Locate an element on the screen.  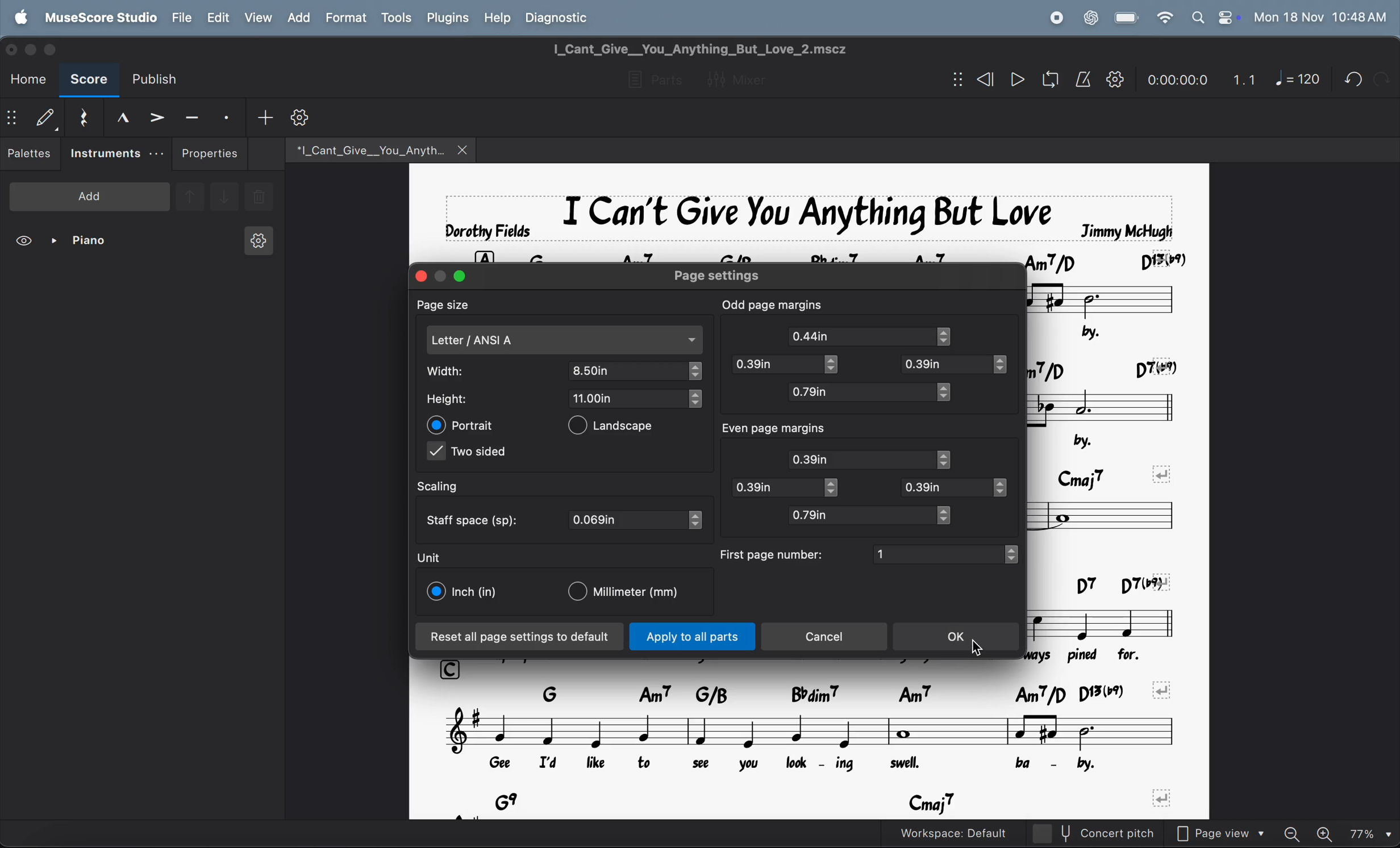
down tone is located at coordinates (225, 198).